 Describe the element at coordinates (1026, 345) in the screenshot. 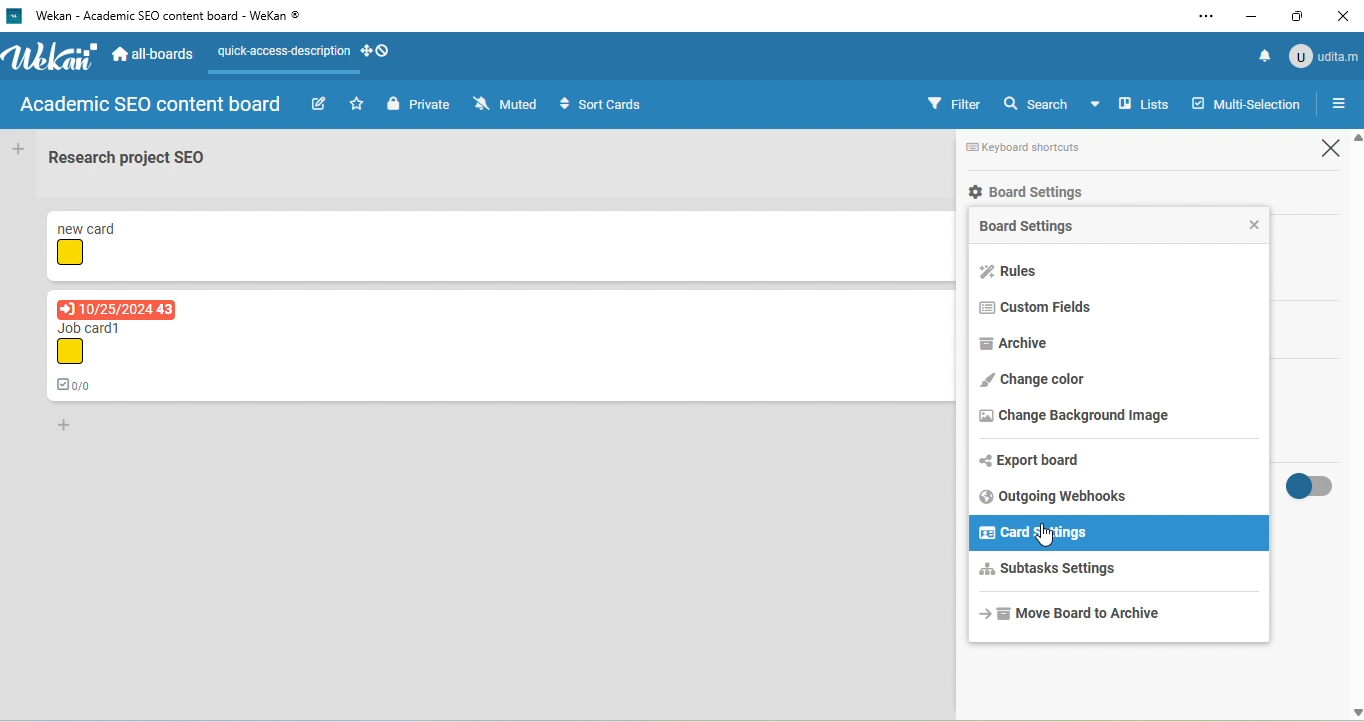

I see `archive` at that location.